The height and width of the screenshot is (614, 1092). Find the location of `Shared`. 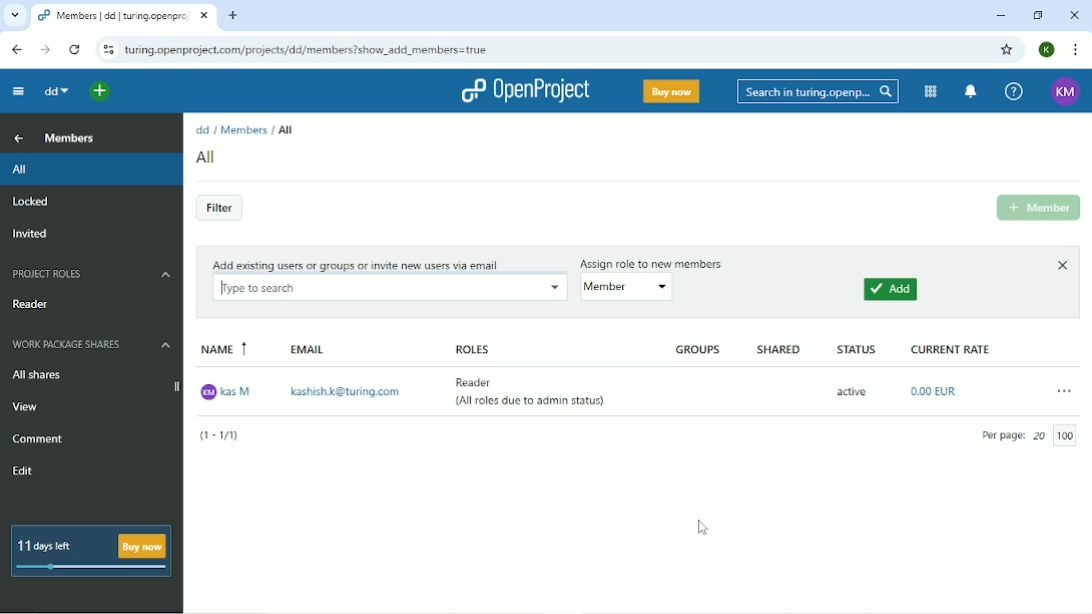

Shared is located at coordinates (779, 350).